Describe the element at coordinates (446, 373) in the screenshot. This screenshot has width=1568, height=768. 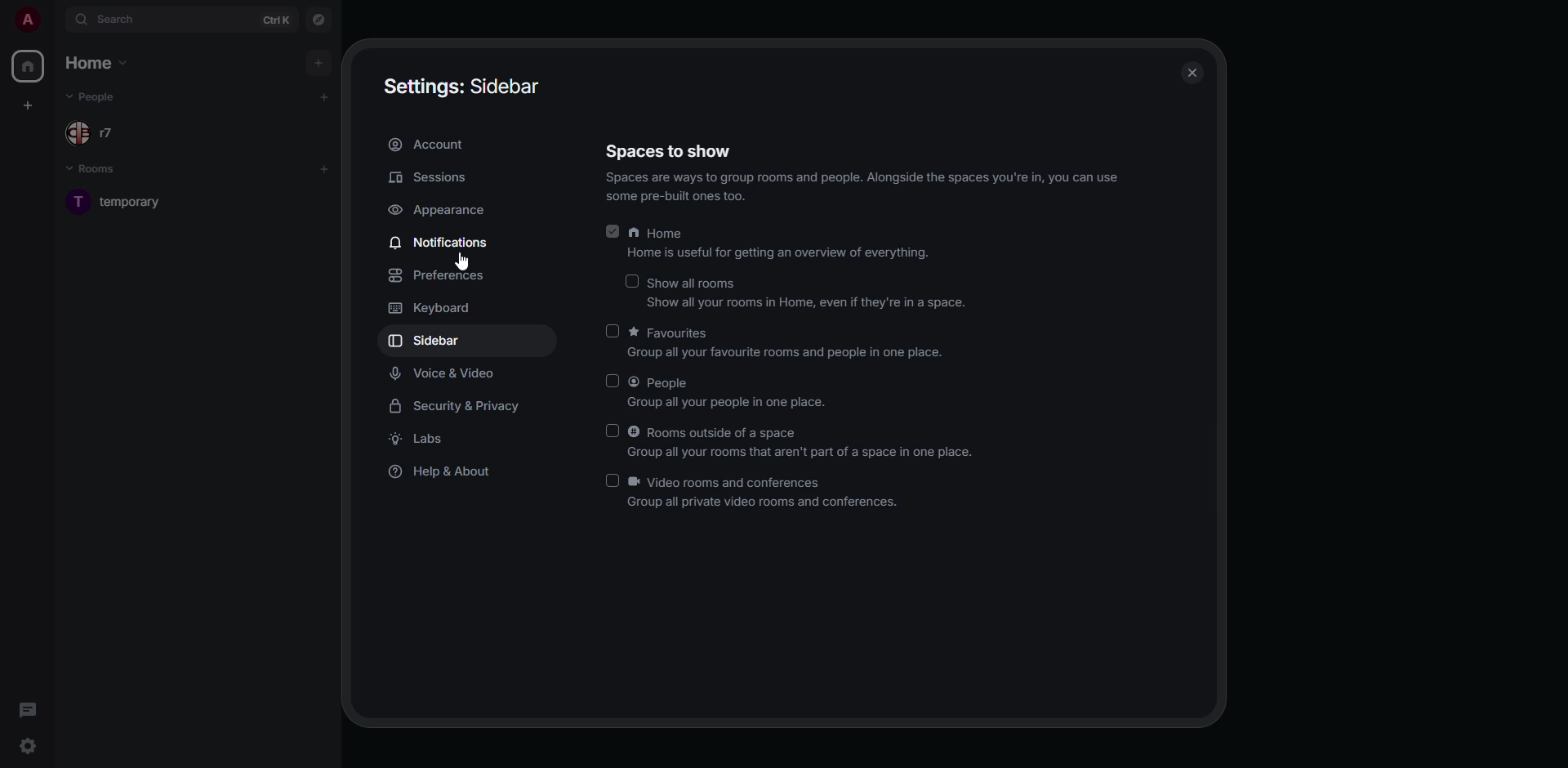
I see `voice & video` at that location.